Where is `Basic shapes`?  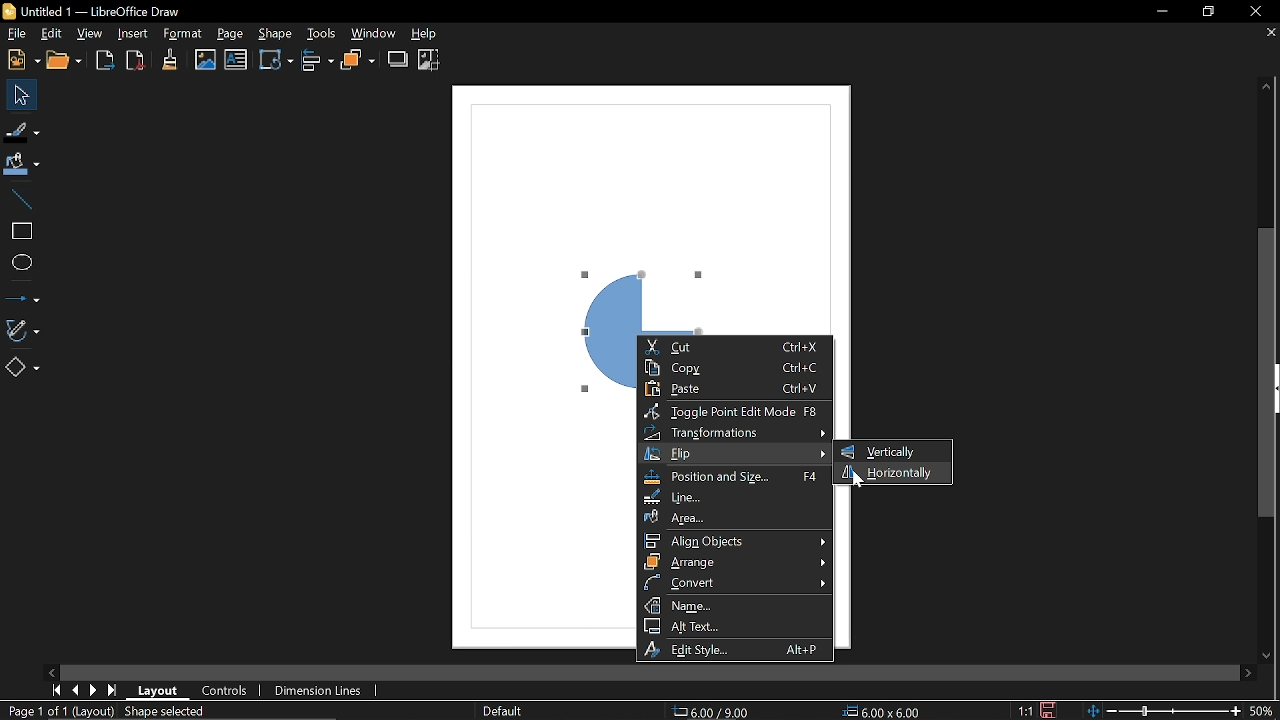 Basic shapes is located at coordinates (21, 366).